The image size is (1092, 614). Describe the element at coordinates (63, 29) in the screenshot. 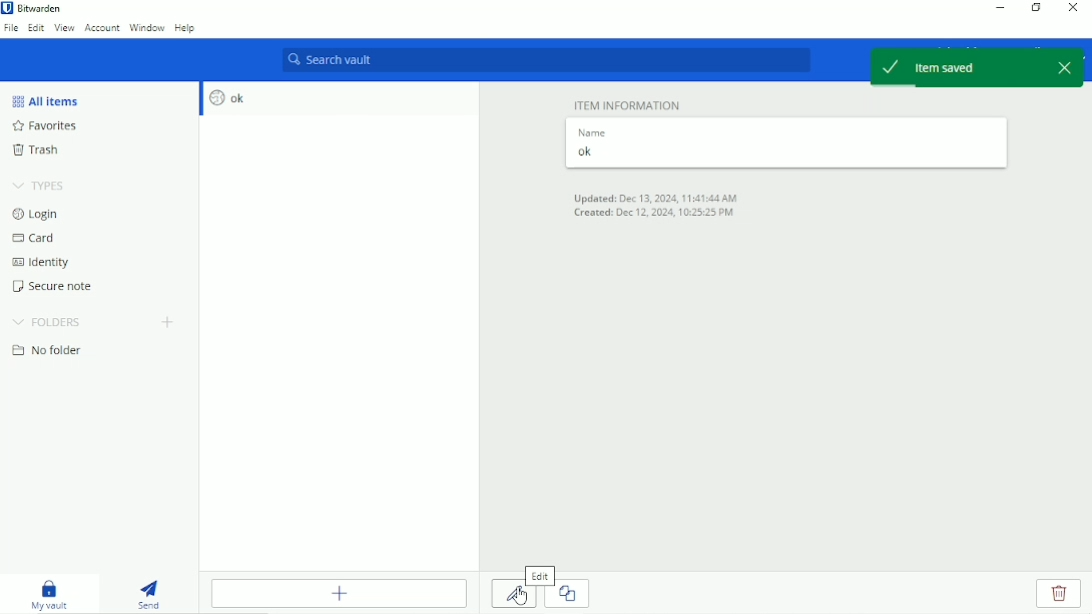

I see `View` at that location.